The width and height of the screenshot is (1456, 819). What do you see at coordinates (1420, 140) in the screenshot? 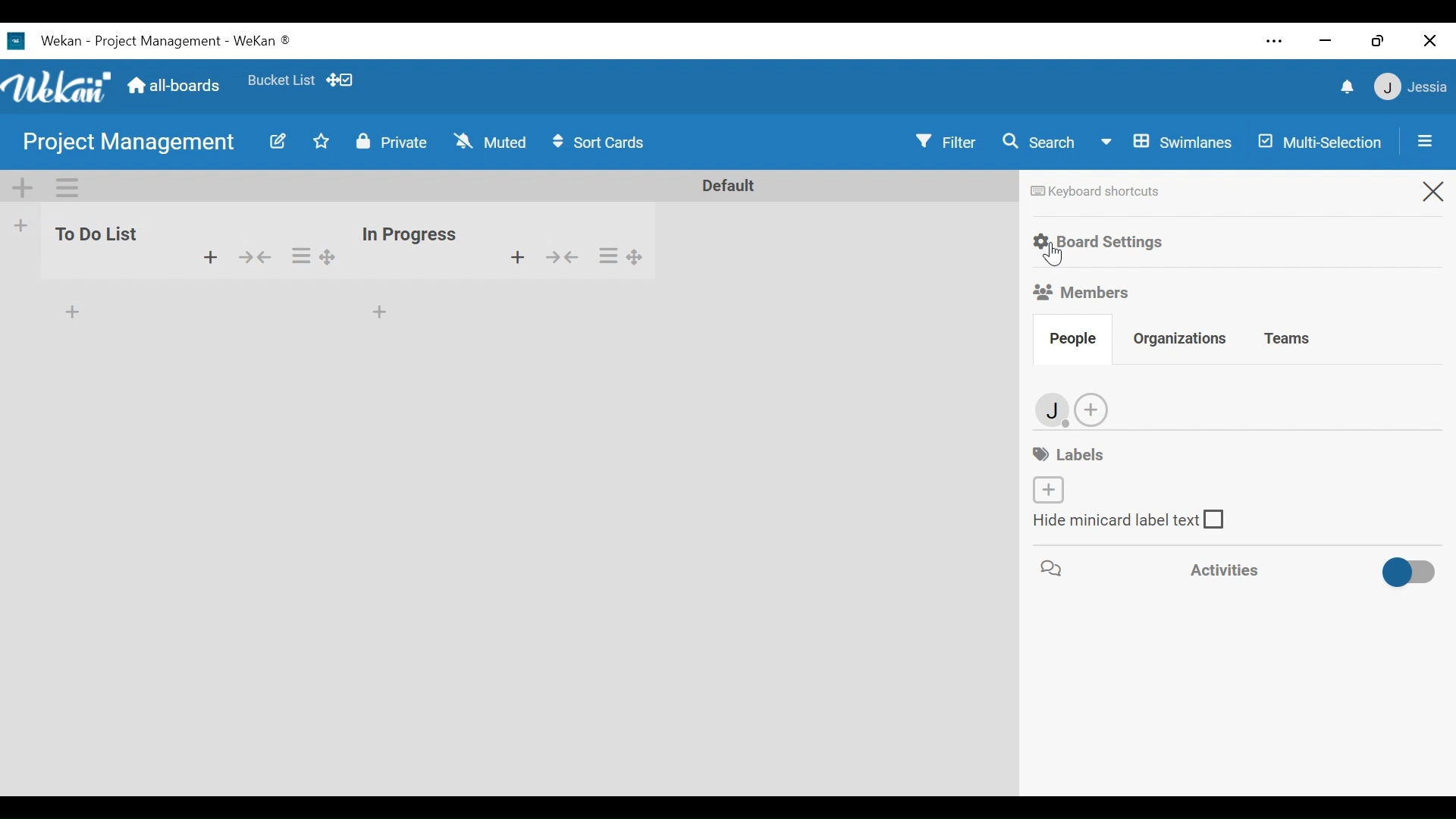
I see `Open/Close Sidebar` at bounding box center [1420, 140].